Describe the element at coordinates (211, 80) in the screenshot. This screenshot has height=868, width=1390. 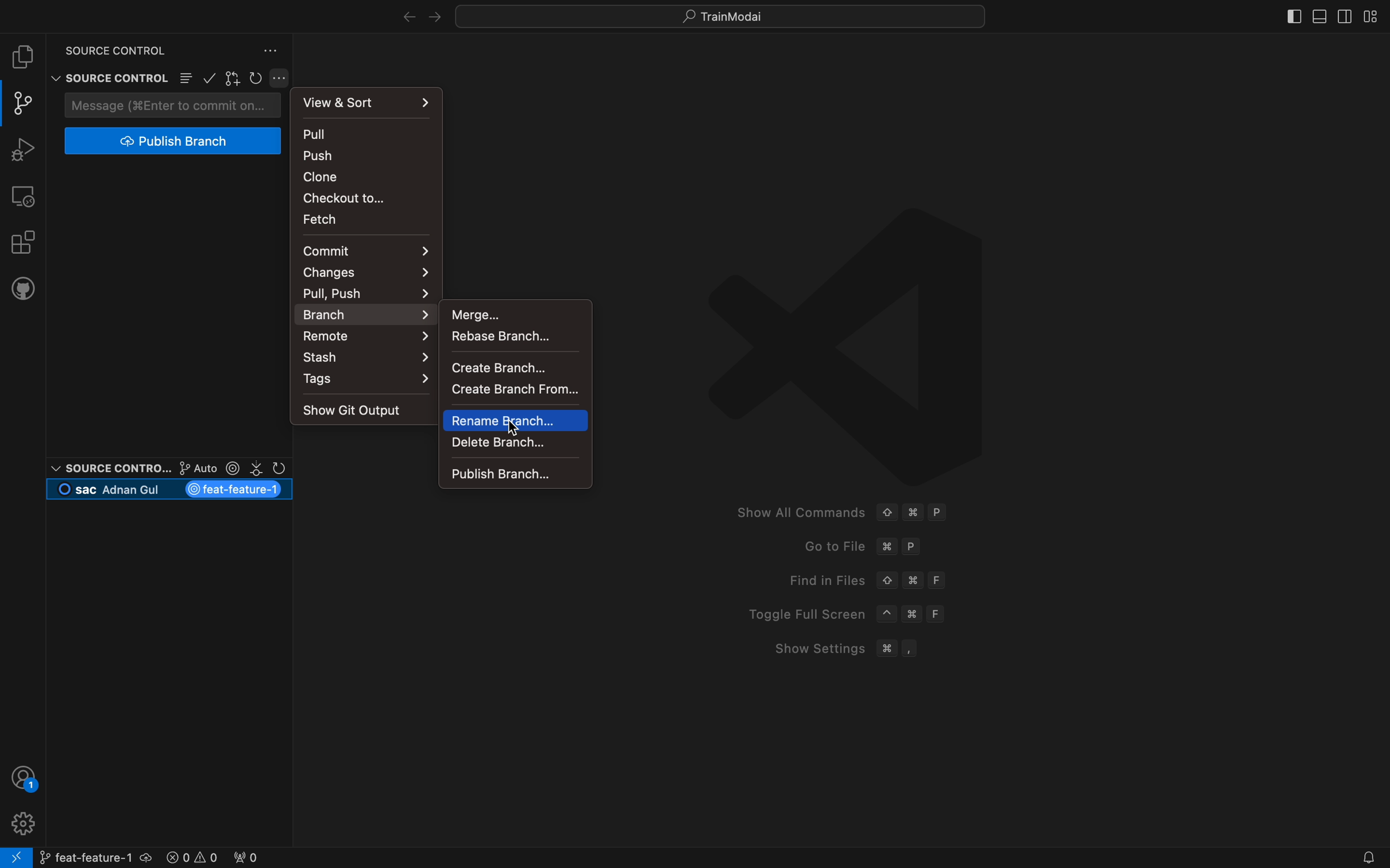
I see `confirm` at that location.